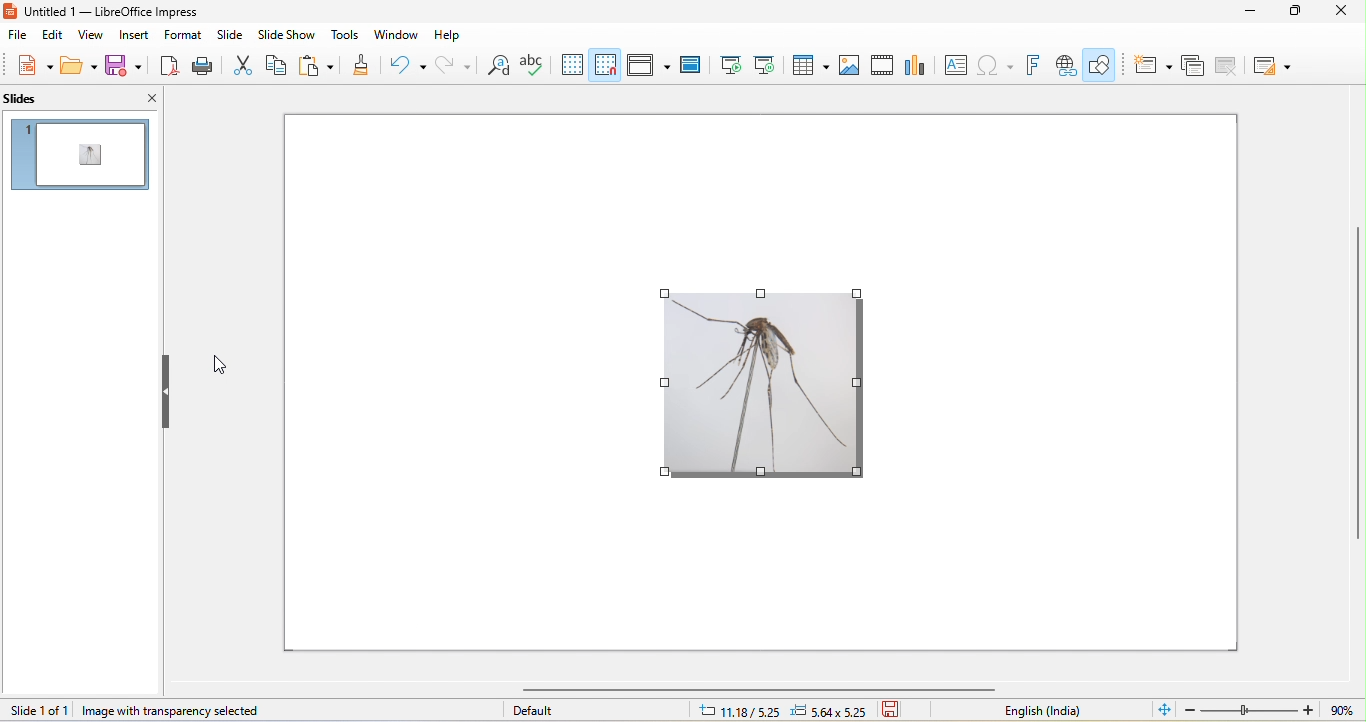 This screenshot has height=722, width=1366. Describe the element at coordinates (954, 64) in the screenshot. I see `textbox` at that location.